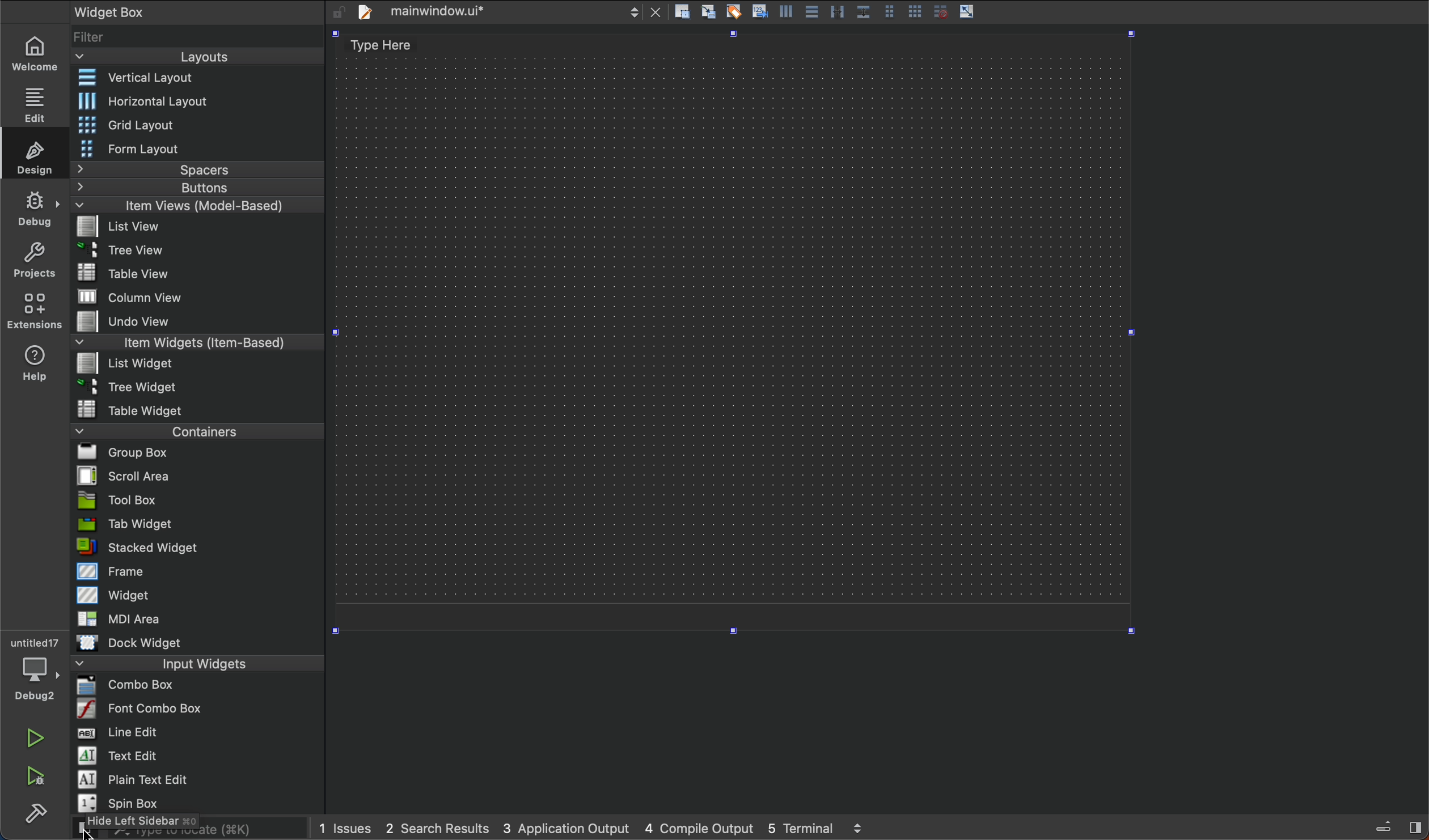  Describe the element at coordinates (195, 342) in the screenshot. I see `item widgets (Item-Based)` at that location.